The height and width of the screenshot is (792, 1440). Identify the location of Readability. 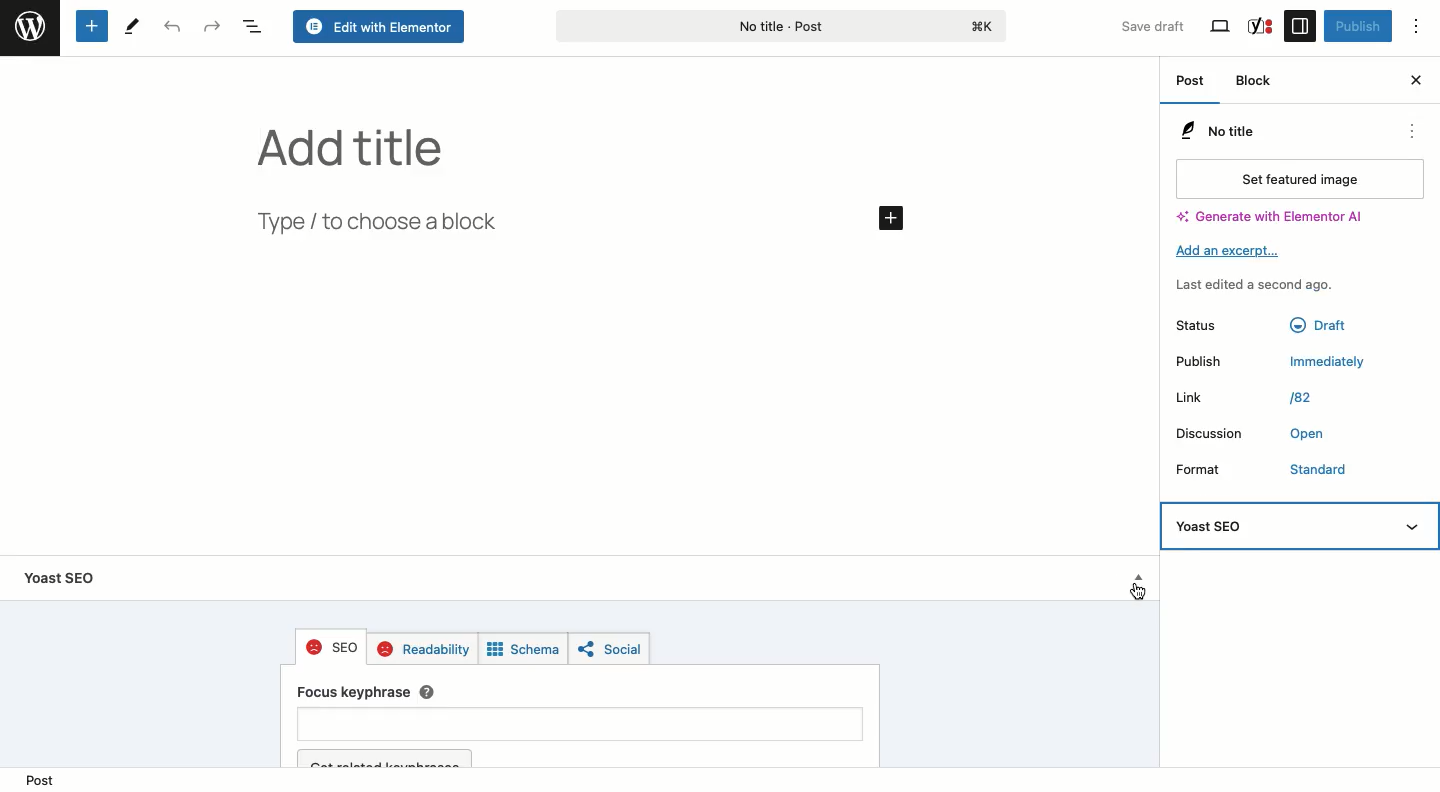
(422, 649).